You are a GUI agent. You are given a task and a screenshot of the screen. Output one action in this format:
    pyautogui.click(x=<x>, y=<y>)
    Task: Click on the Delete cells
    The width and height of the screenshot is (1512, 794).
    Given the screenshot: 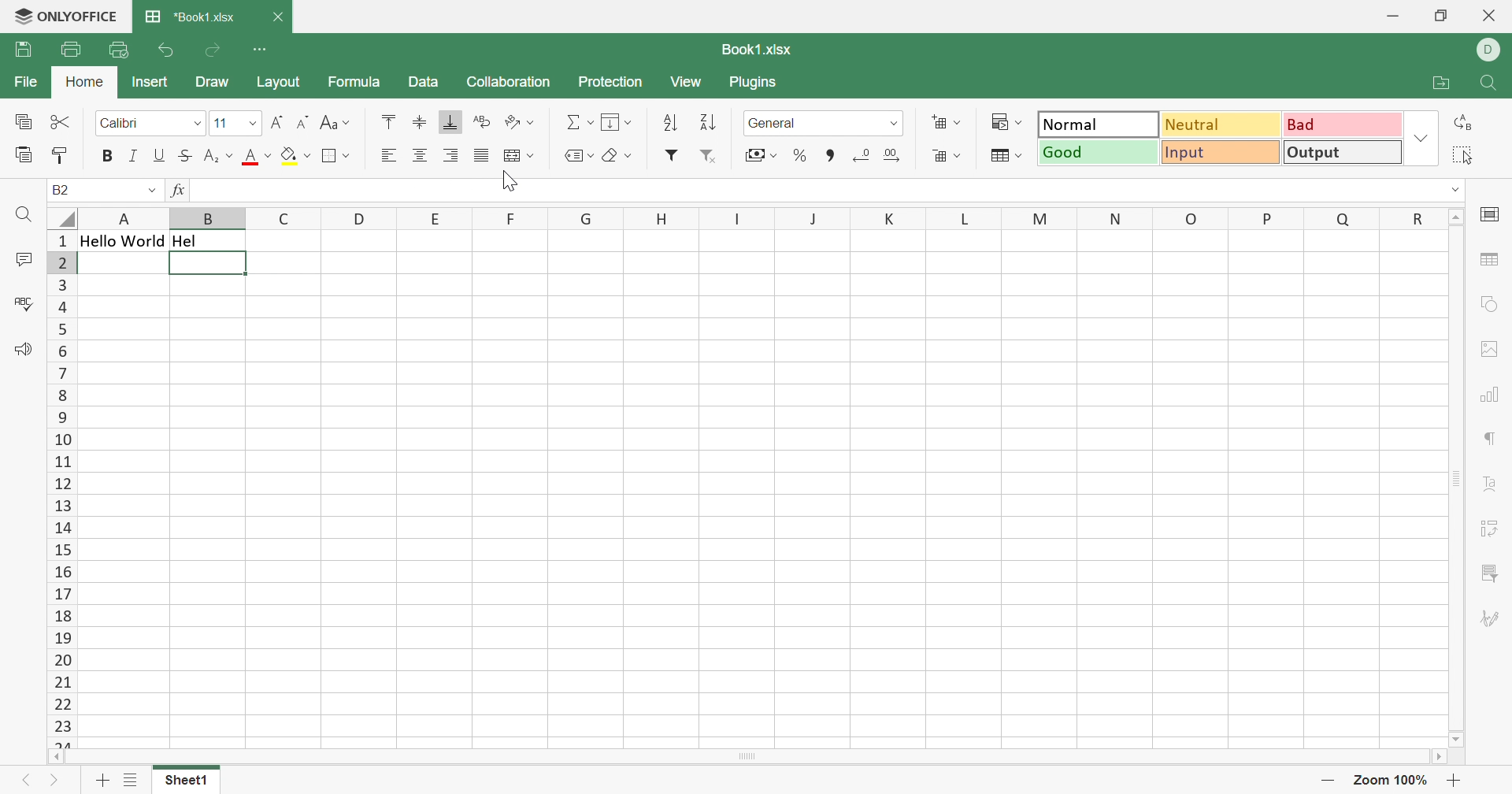 What is the action you would take?
    pyautogui.click(x=947, y=155)
    